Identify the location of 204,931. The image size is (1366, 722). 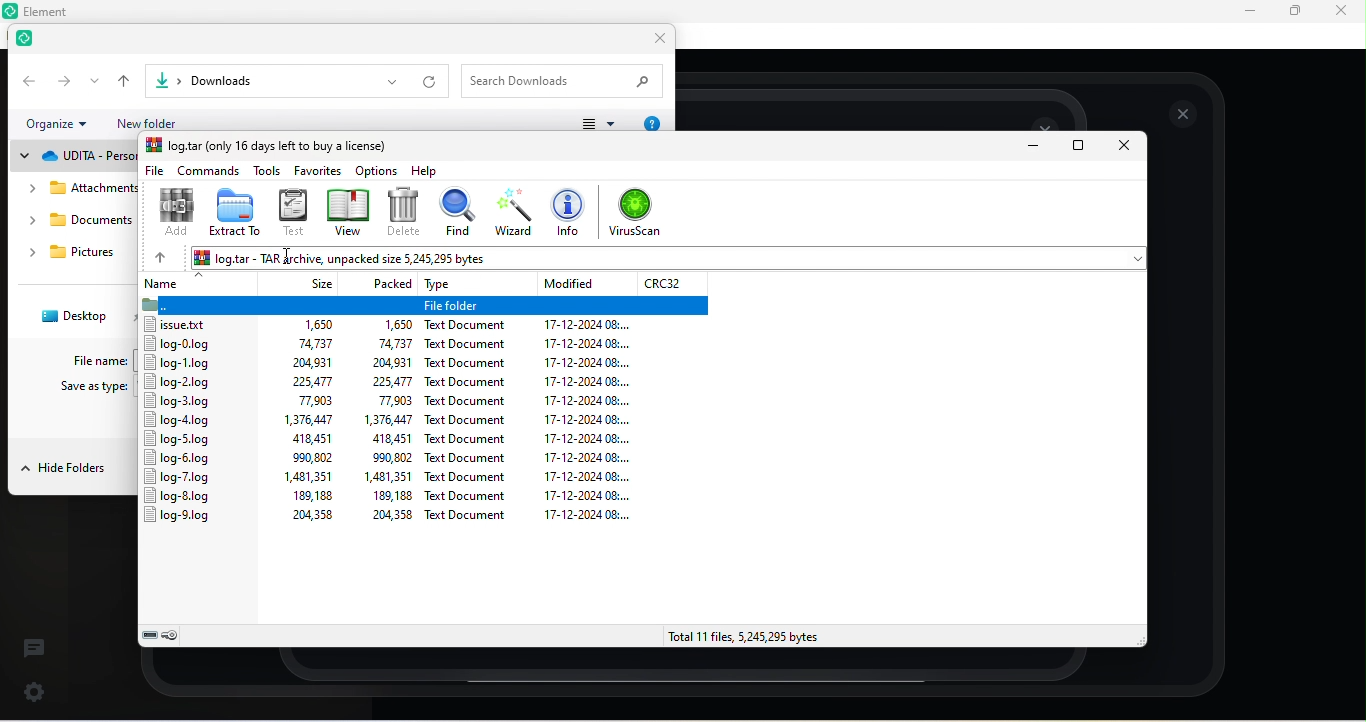
(392, 364).